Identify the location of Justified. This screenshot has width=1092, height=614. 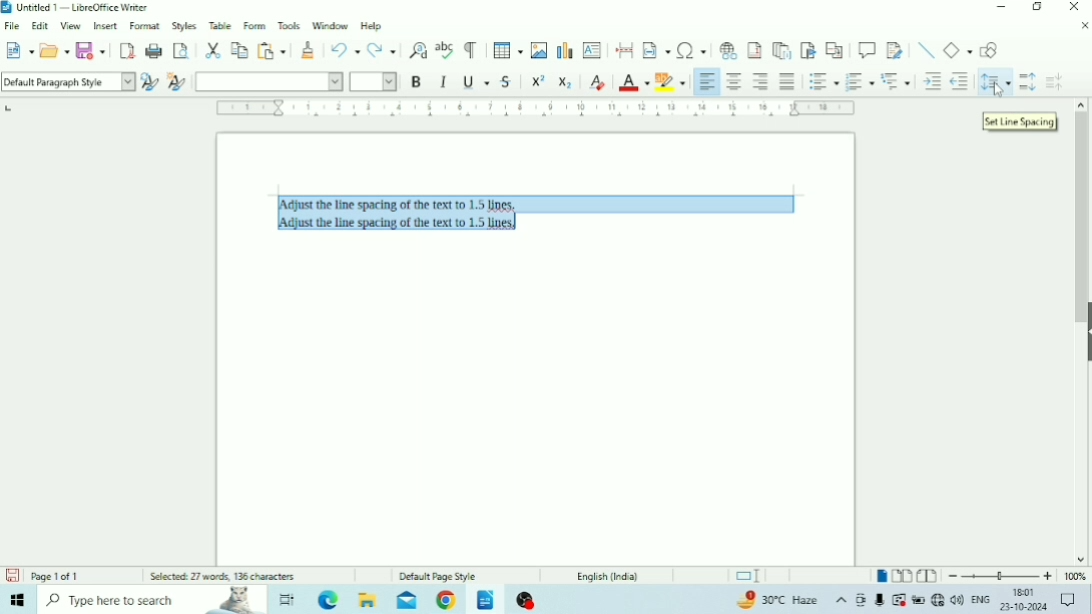
(787, 82).